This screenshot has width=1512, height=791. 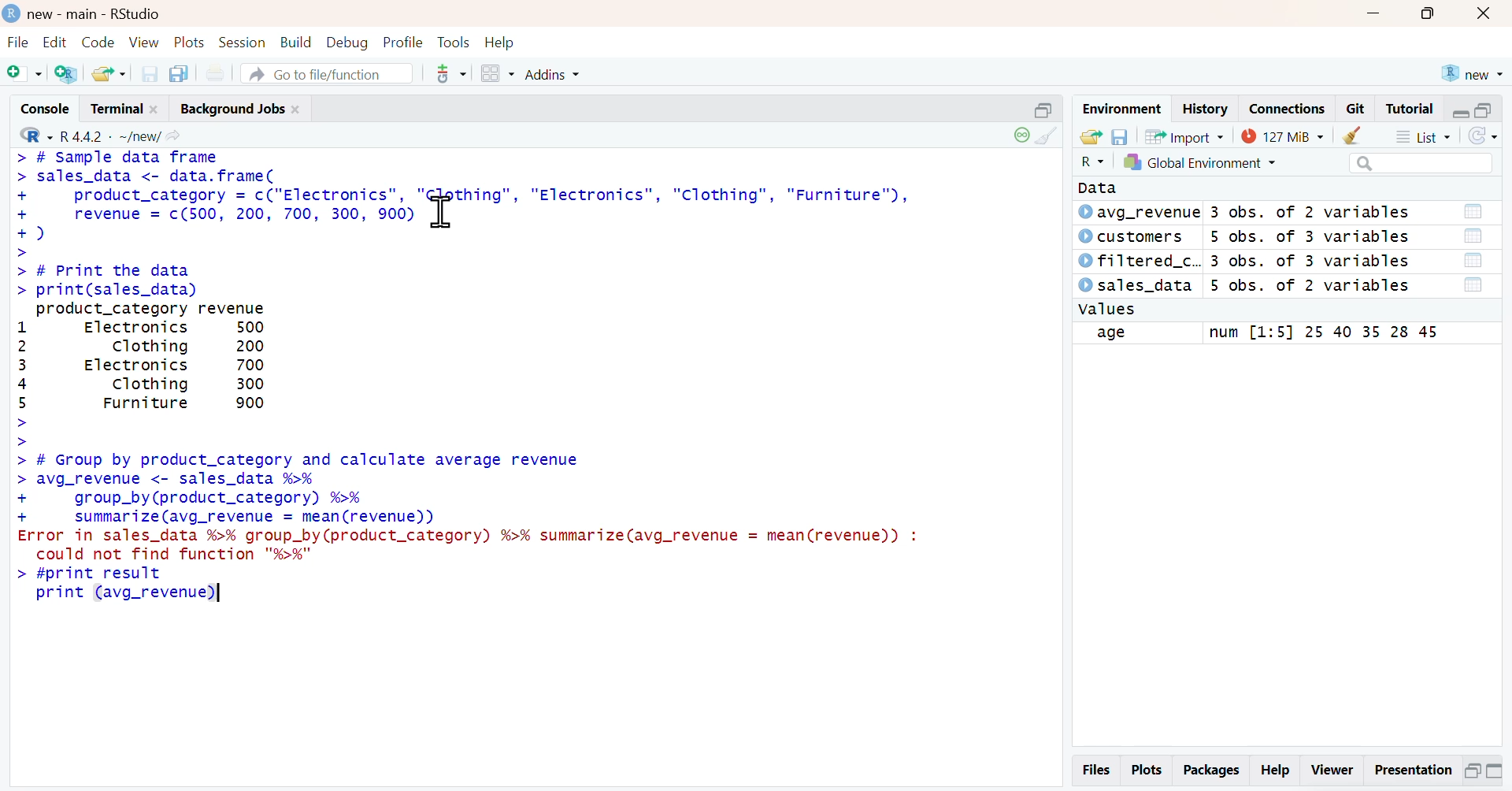 I want to click on Background Jobs, so click(x=239, y=108).